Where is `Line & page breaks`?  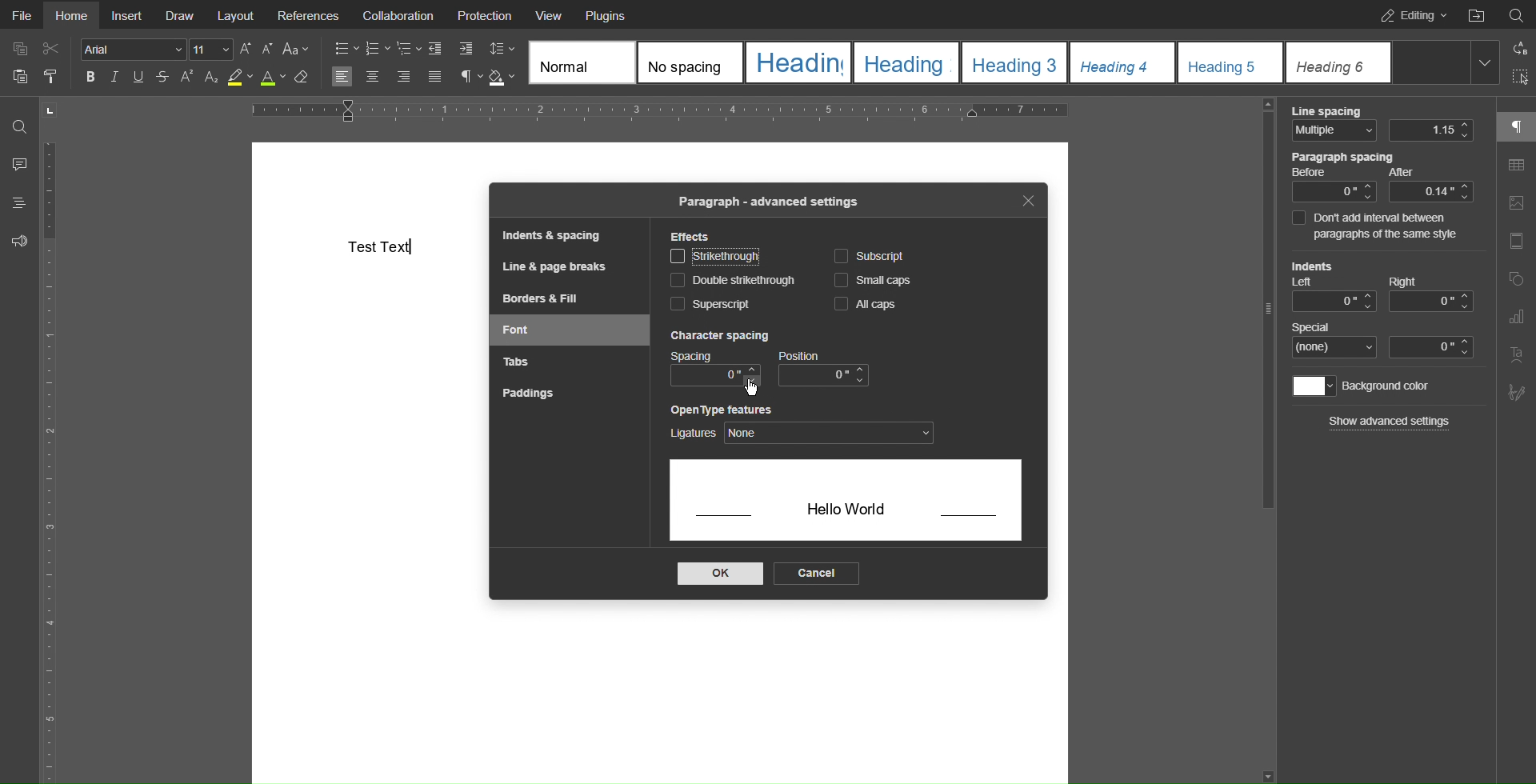
Line & page breaks is located at coordinates (552, 266).